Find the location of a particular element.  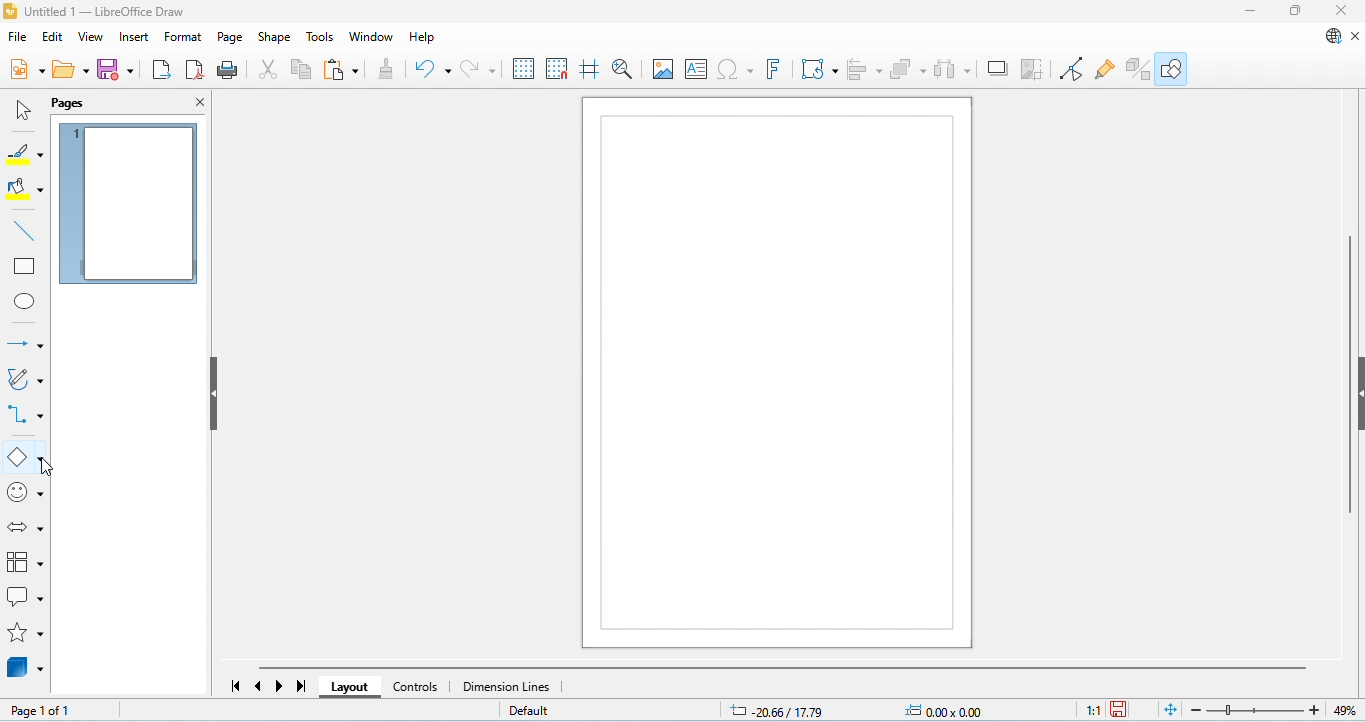

scaling factor is located at coordinates (1094, 711).